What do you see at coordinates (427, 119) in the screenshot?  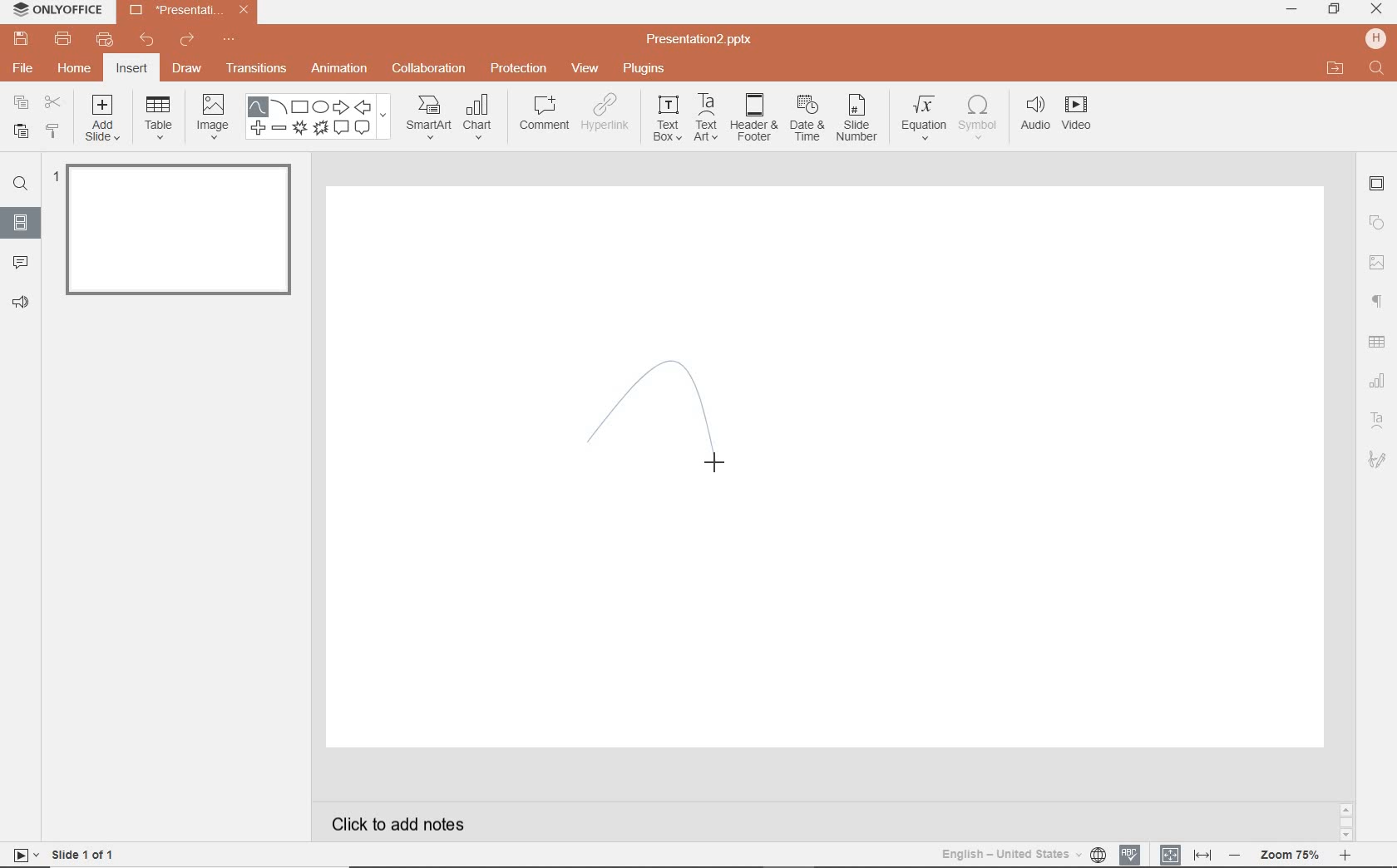 I see `SMART ART` at bounding box center [427, 119].